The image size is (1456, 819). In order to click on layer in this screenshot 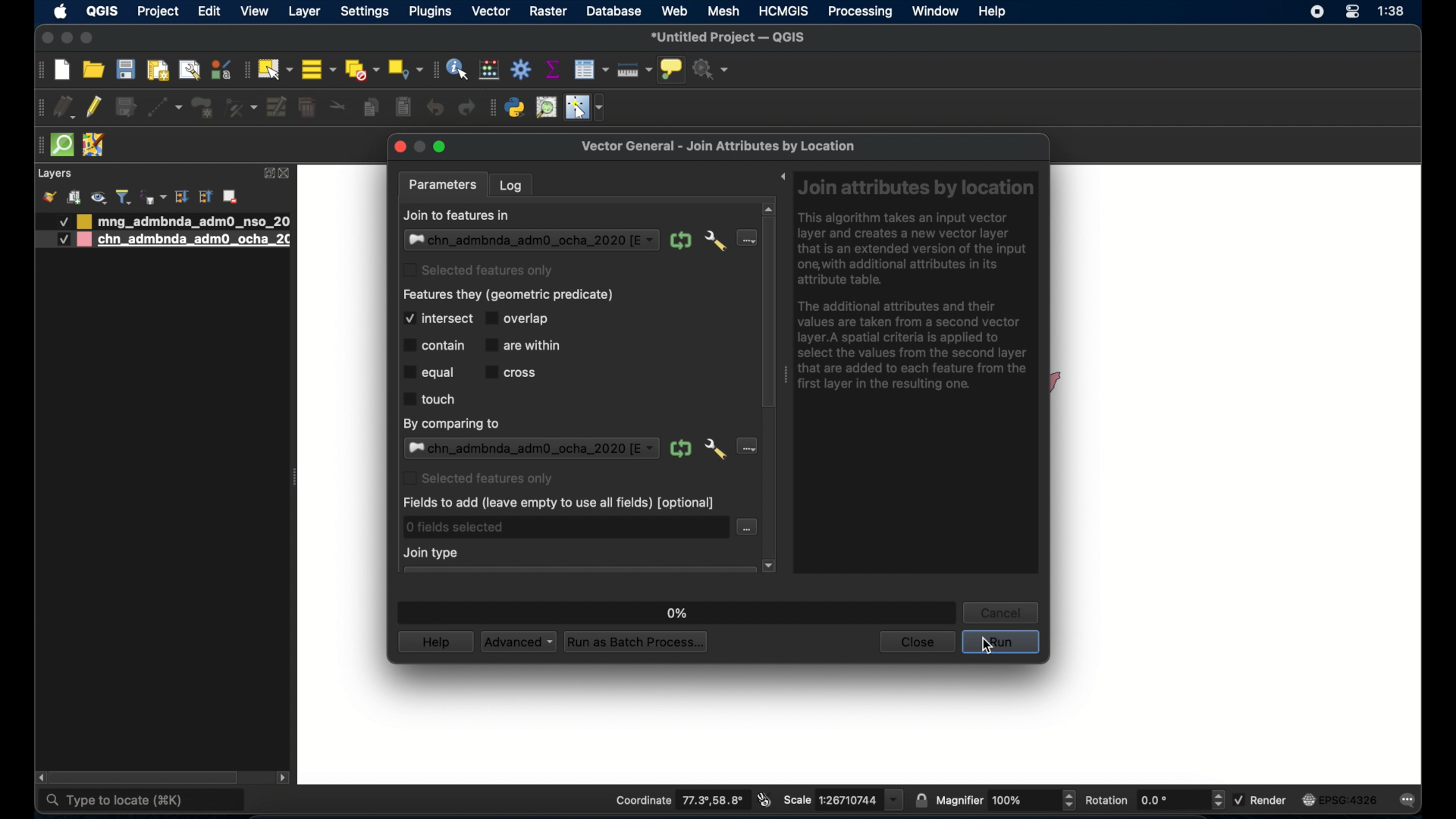, I will do `click(305, 12)`.